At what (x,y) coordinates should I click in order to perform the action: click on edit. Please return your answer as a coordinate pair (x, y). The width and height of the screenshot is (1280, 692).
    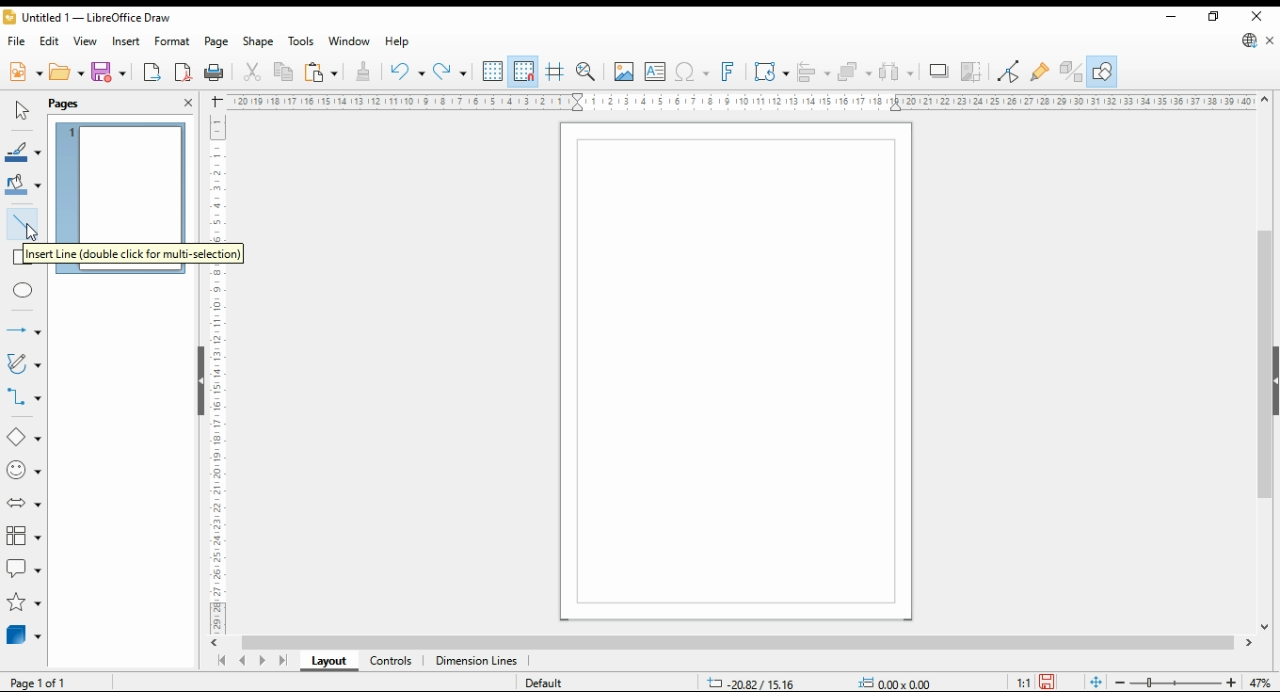
    Looking at the image, I should click on (52, 43).